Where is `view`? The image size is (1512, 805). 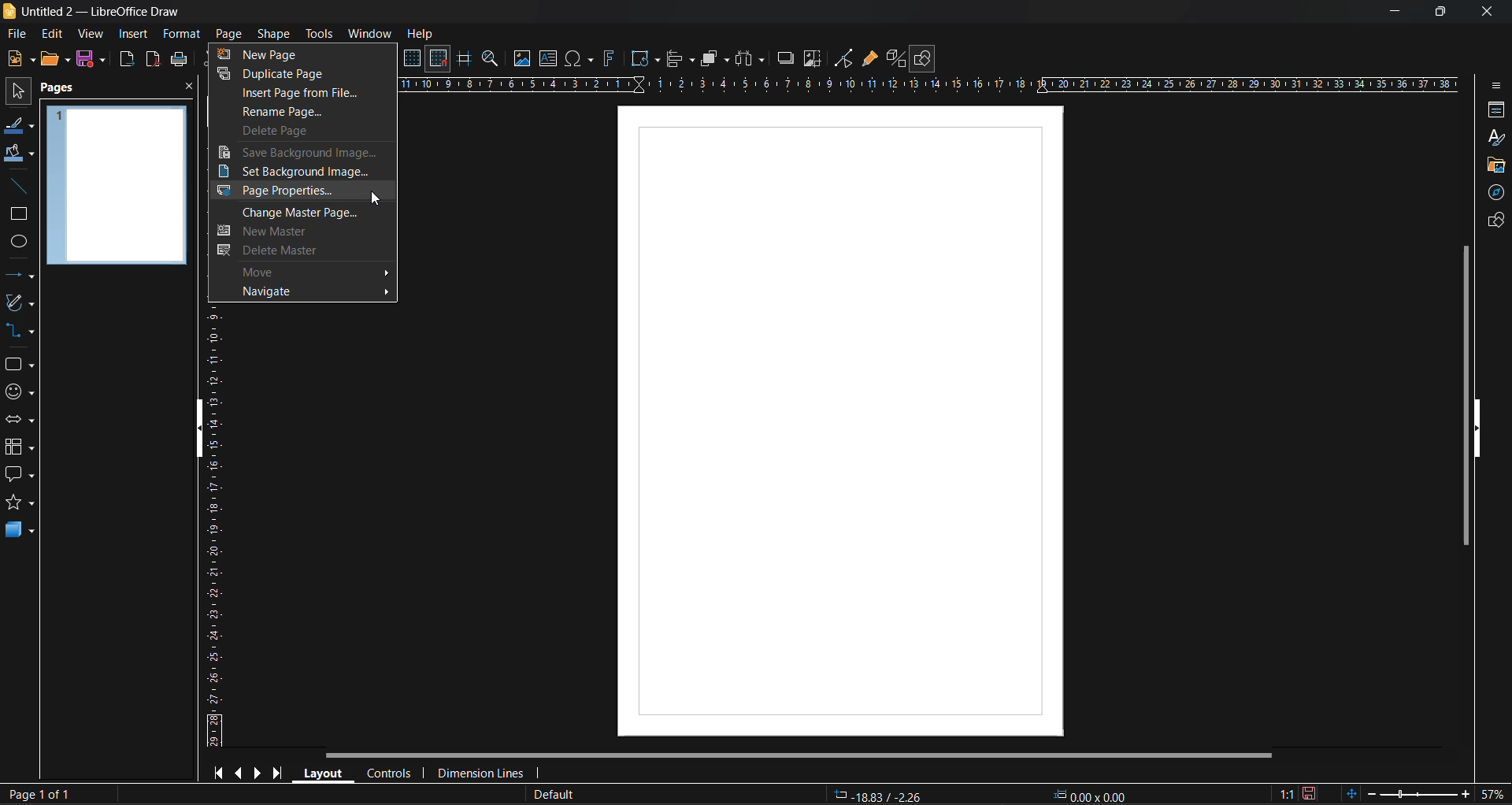
view is located at coordinates (93, 35).